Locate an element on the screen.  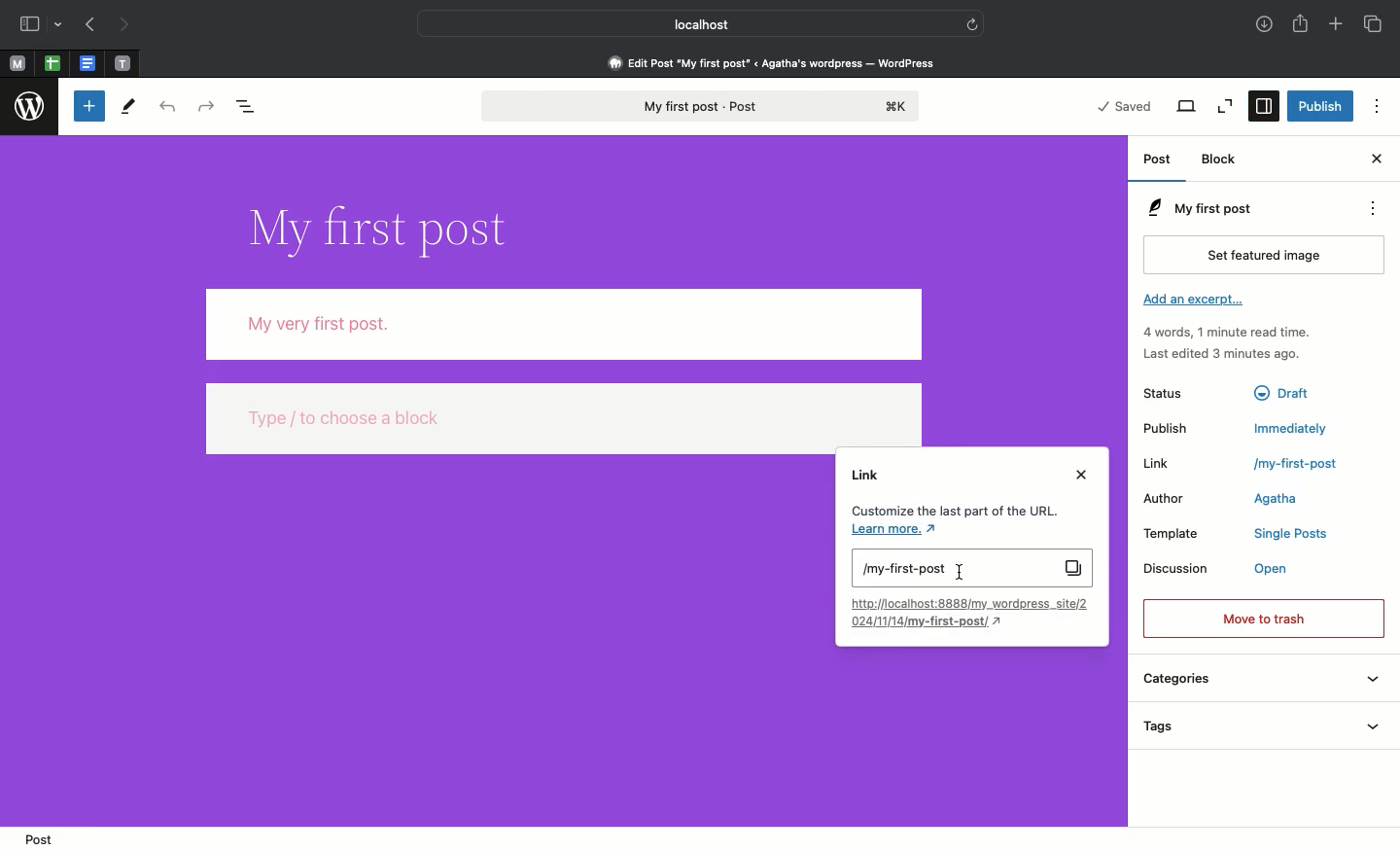
Tools is located at coordinates (130, 107).